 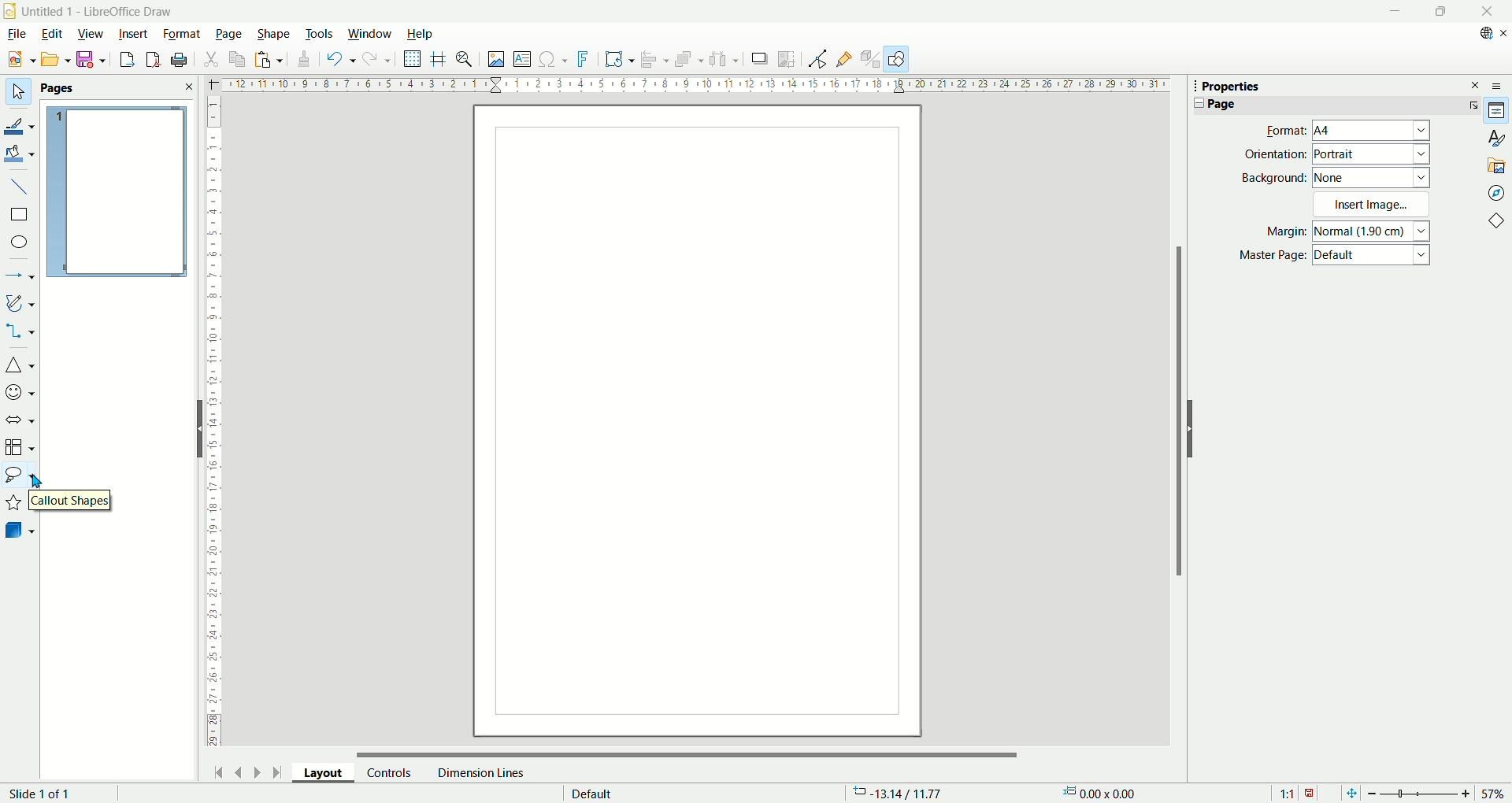 What do you see at coordinates (20, 153) in the screenshot?
I see `fill color` at bounding box center [20, 153].